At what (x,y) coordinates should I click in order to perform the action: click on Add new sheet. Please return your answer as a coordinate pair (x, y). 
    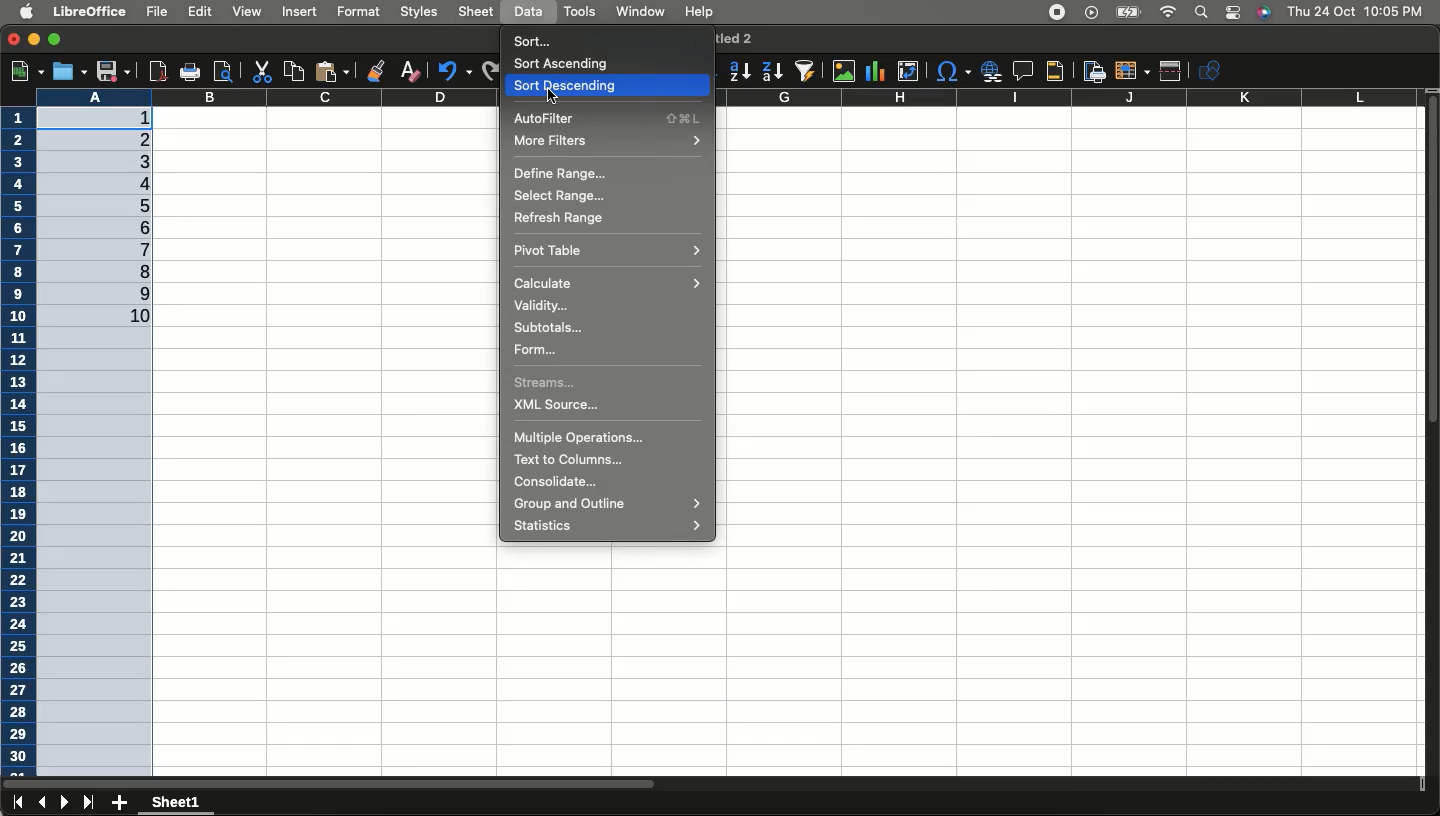
    Looking at the image, I should click on (120, 803).